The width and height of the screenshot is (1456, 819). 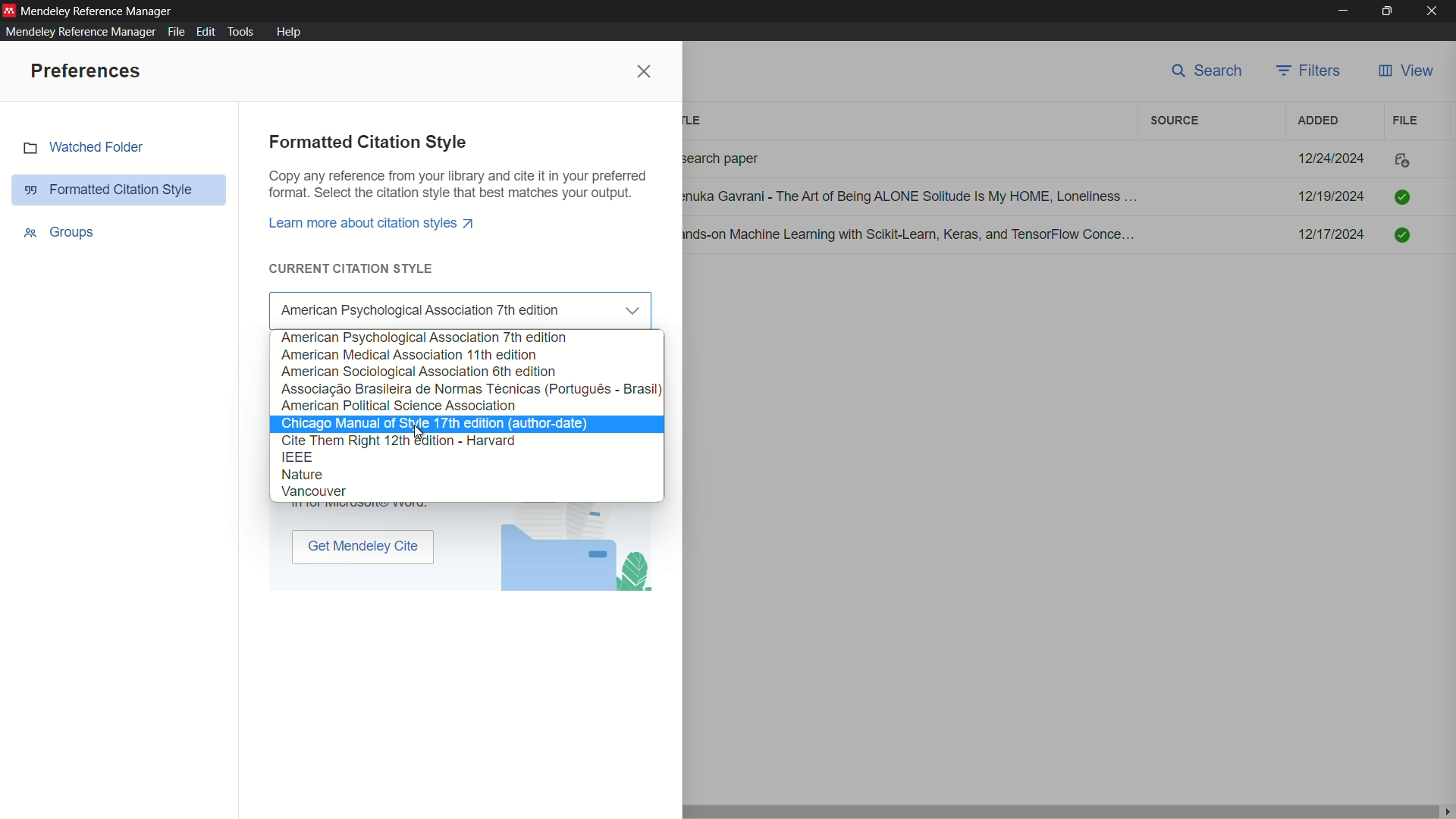 What do you see at coordinates (206, 32) in the screenshot?
I see `edit menu` at bounding box center [206, 32].